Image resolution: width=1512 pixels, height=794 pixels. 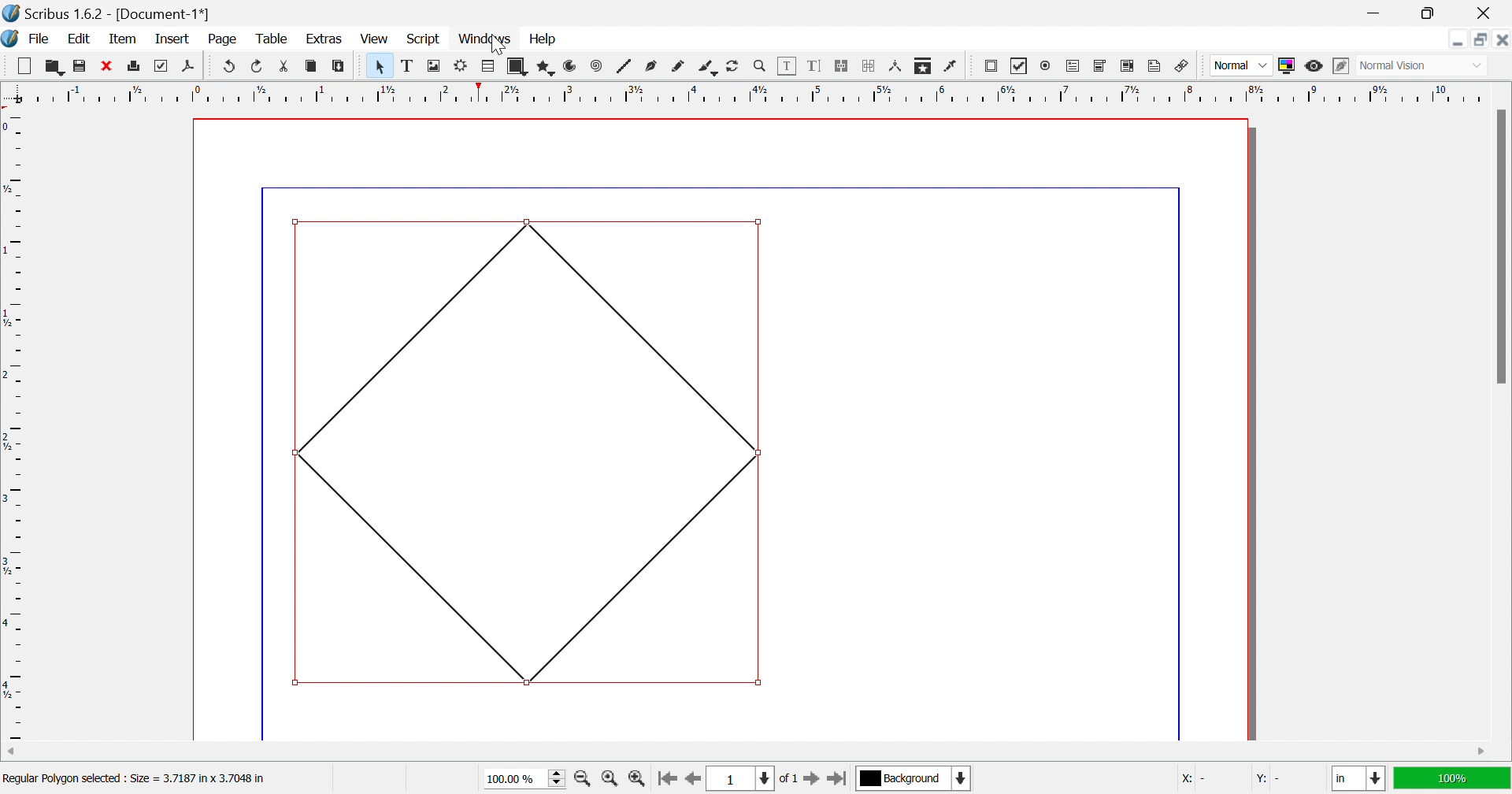 I want to click on Redo, so click(x=258, y=65).